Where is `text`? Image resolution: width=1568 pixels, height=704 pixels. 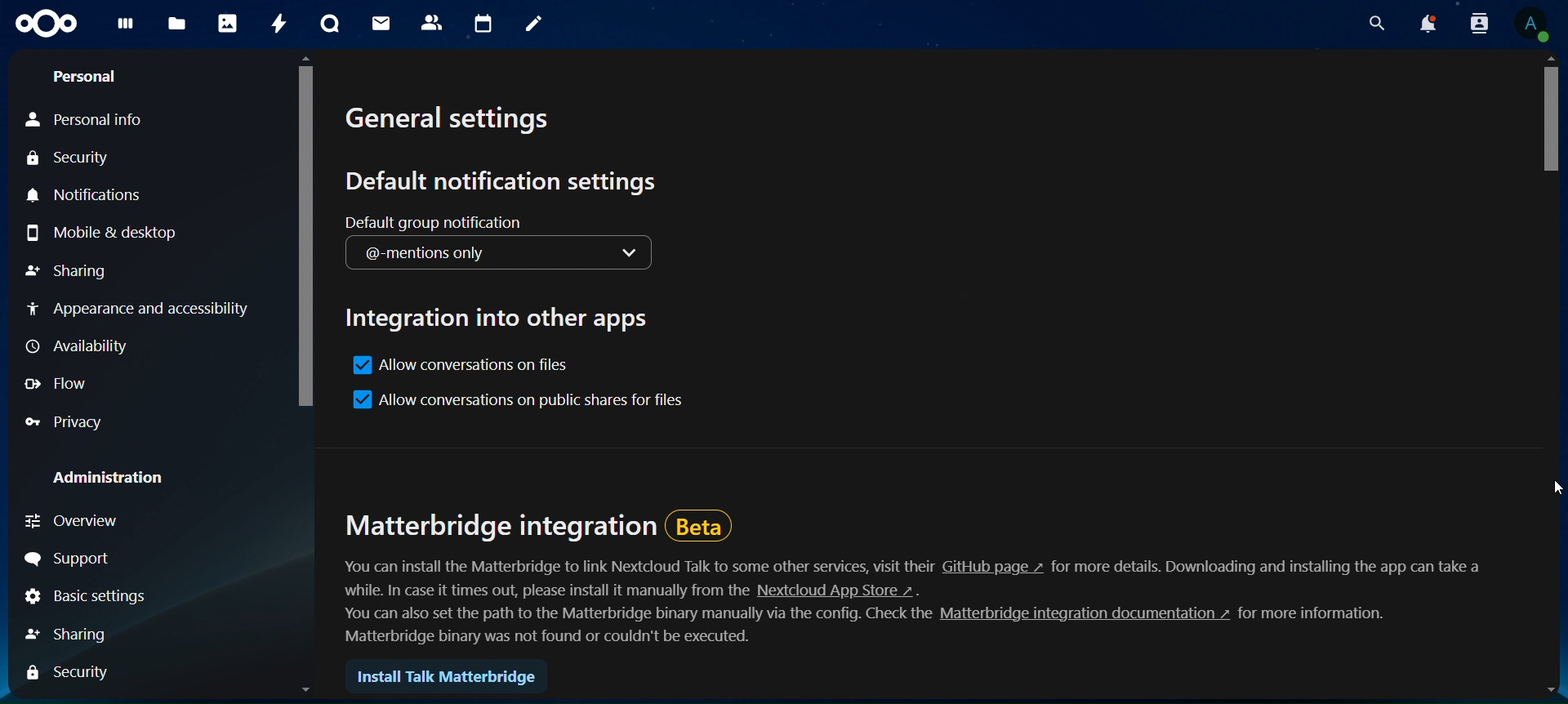
text is located at coordinates (1315, 613).